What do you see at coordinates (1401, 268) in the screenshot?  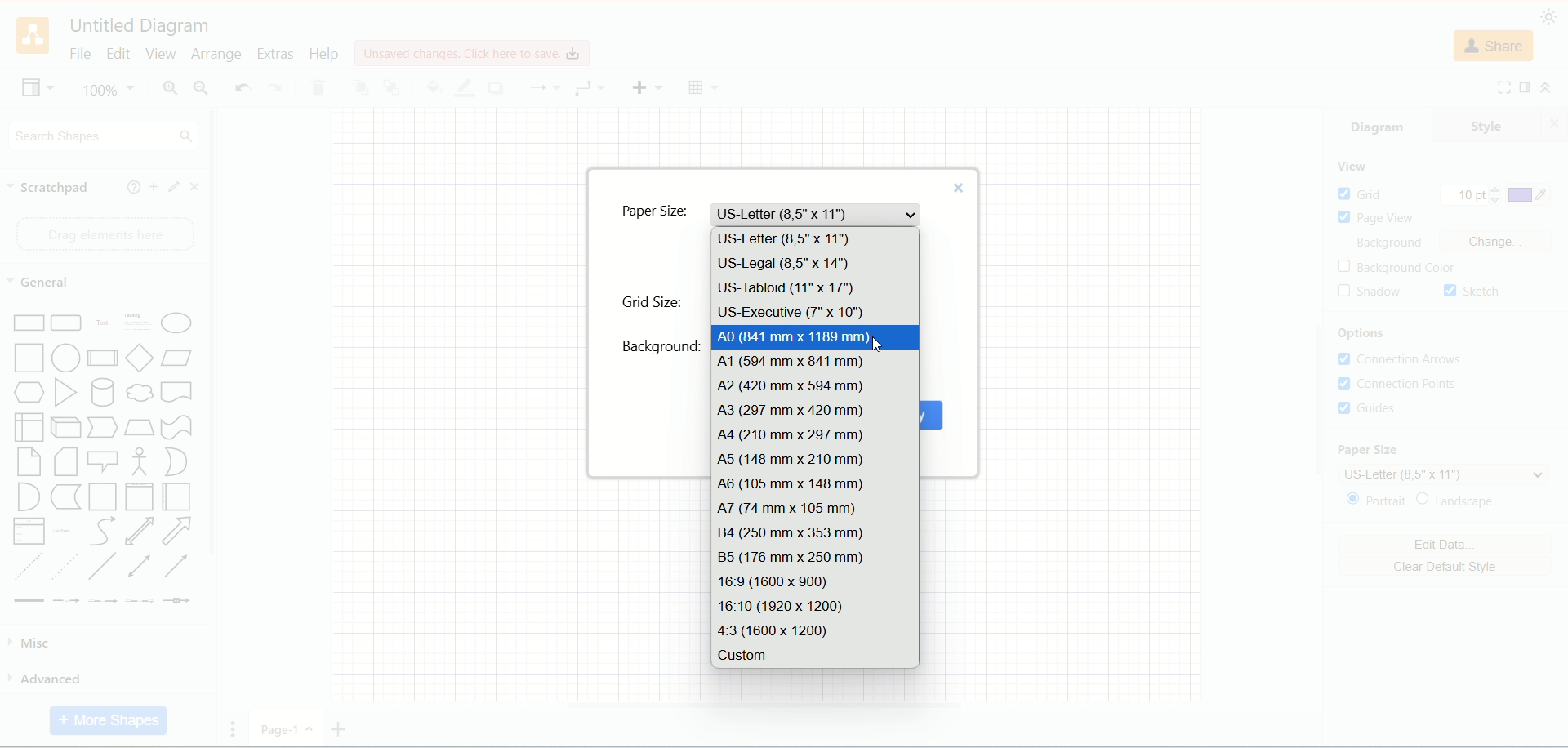 I see `background color` at bounding box center [1401, 268].